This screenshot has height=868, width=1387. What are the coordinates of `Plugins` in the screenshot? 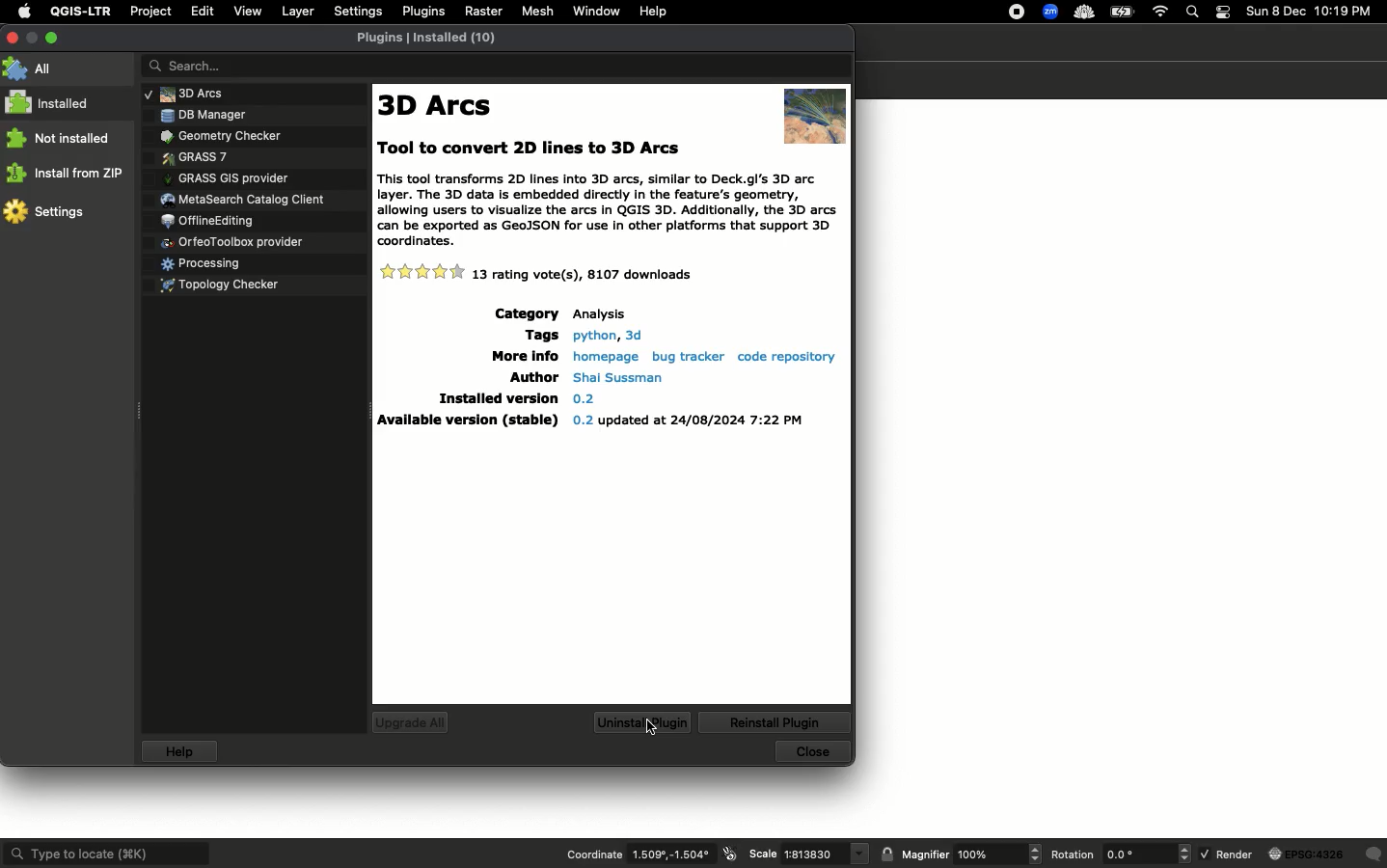 It's located at (216, 133).